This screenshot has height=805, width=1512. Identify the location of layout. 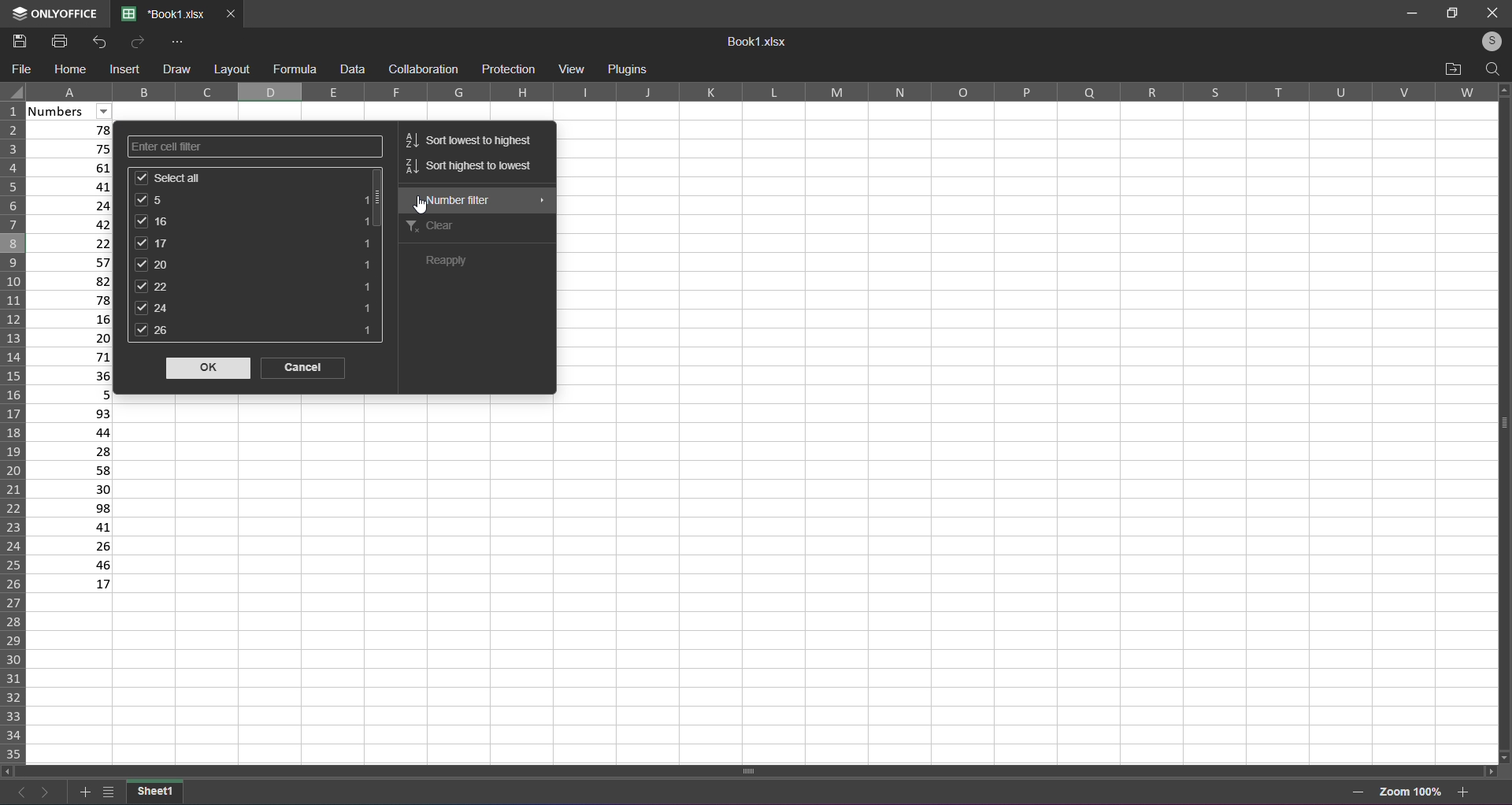
(231, 69).